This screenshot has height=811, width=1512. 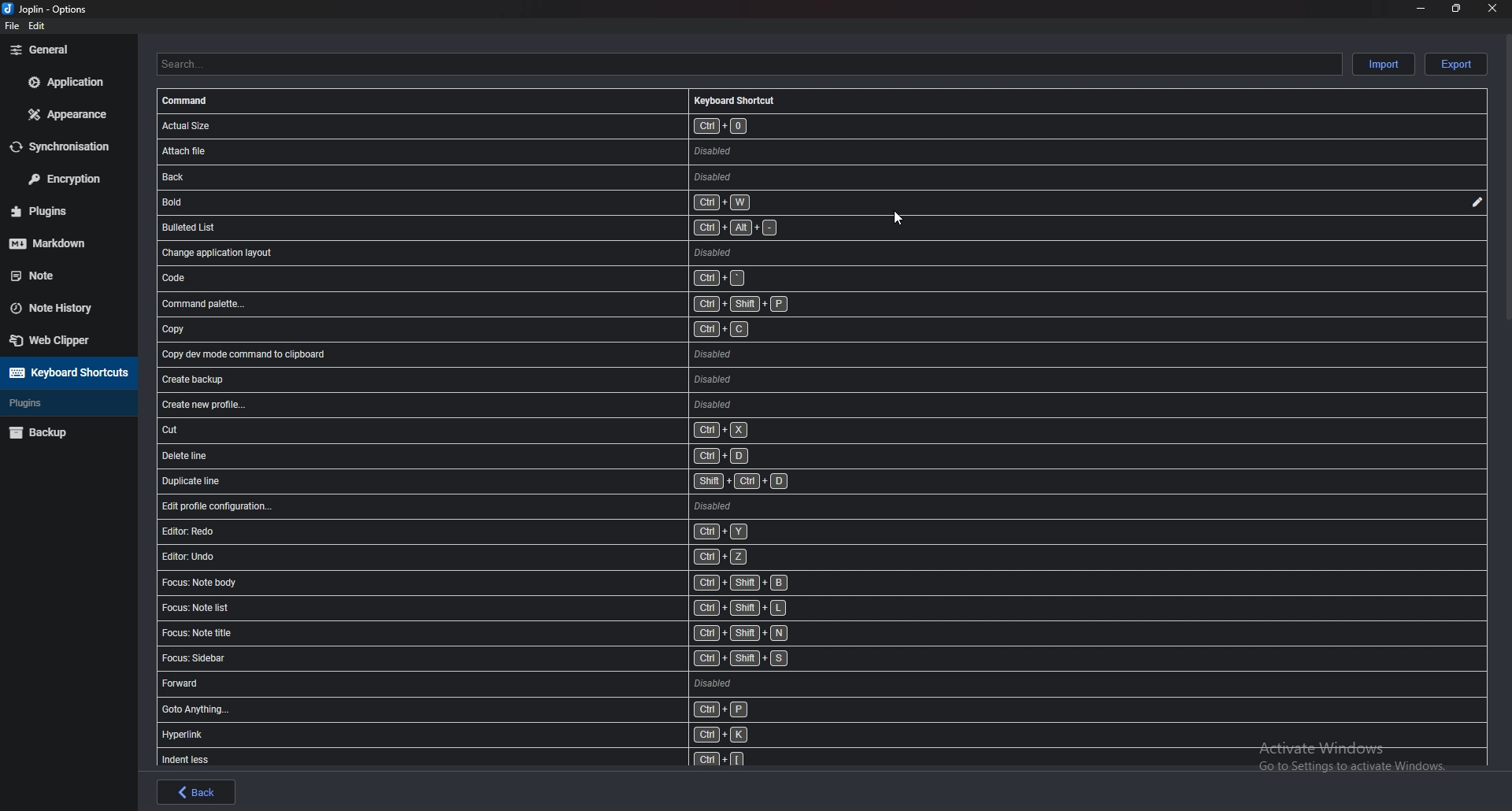 What do you see at coordinates (195, 791) in the screenshot?
I see `back` at bounding box center [195, 791].